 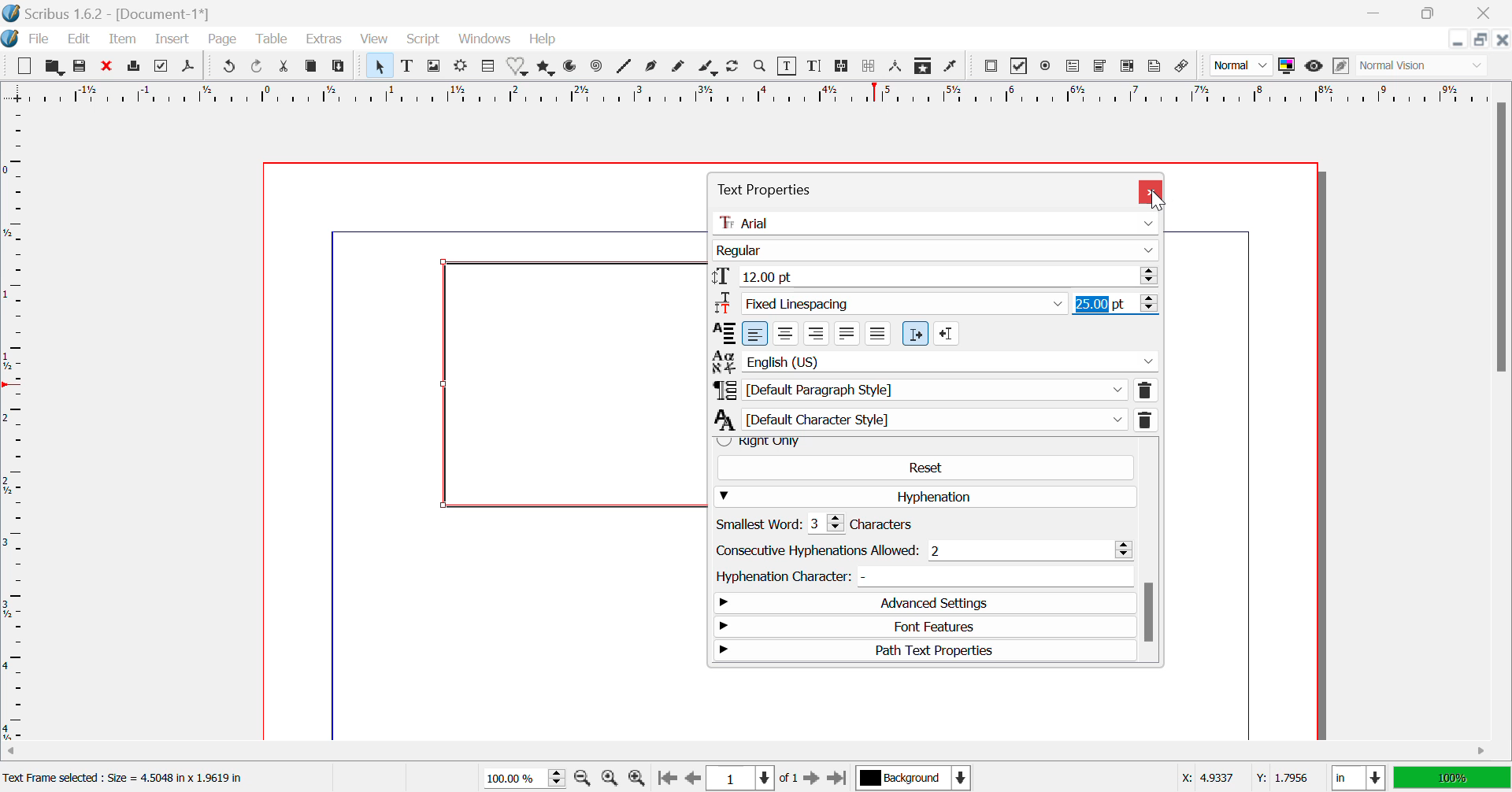 I want to click on Horizontal Page Margins, so click(x=19, y=425).